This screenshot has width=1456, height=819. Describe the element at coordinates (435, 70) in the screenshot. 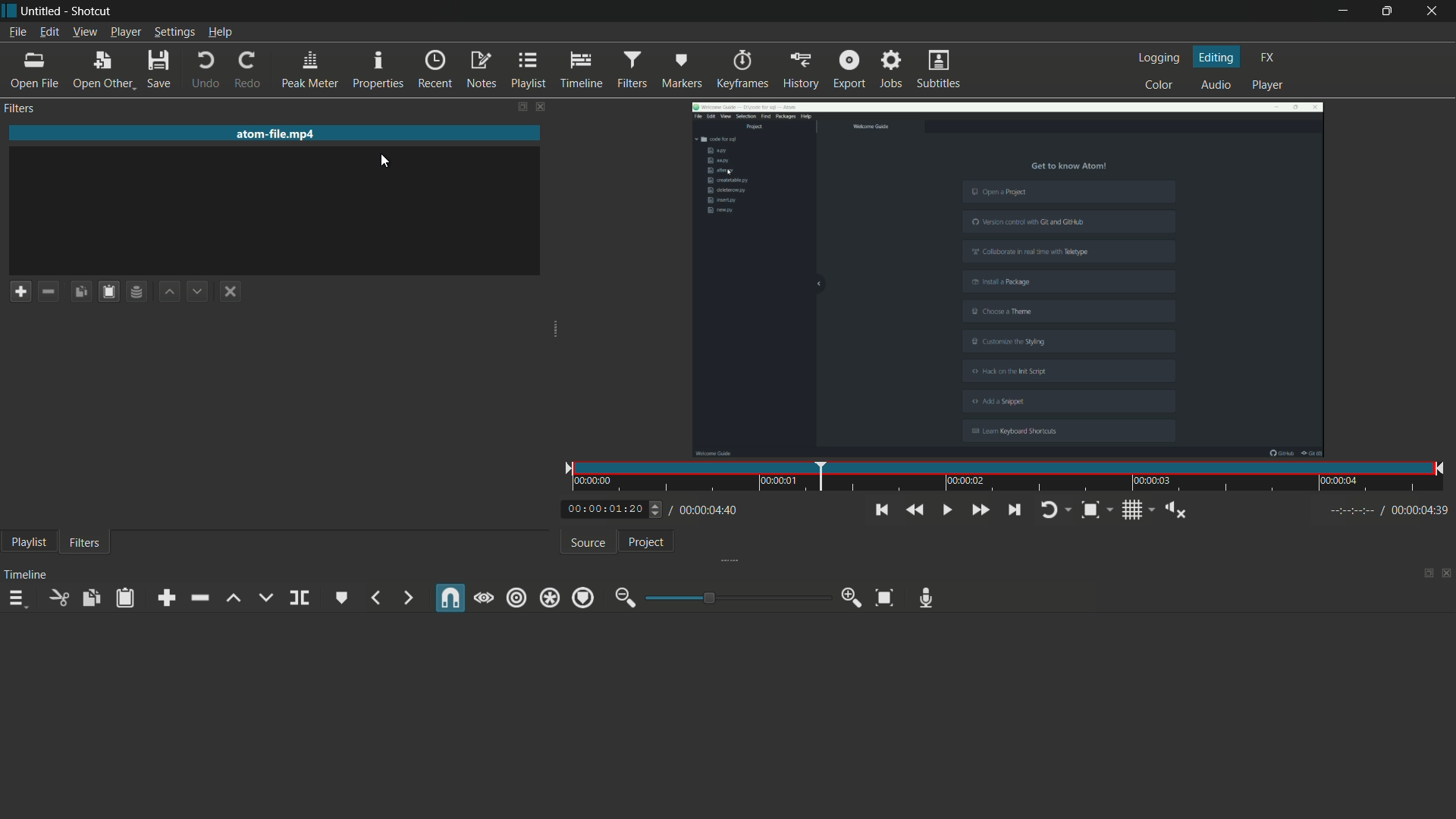

I see `recent` at that location.